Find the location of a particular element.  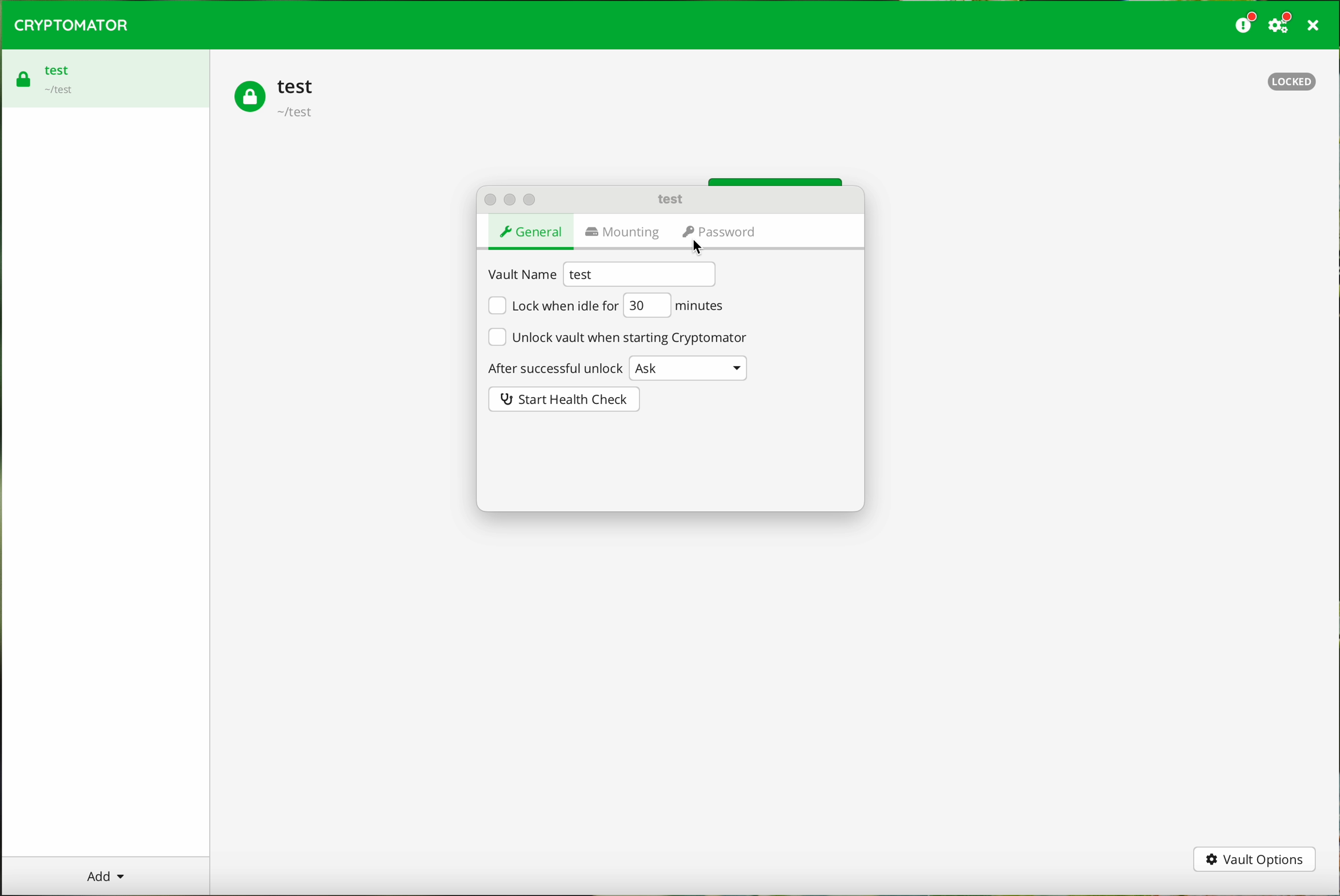

minutes is located at coordinates (699, 306).